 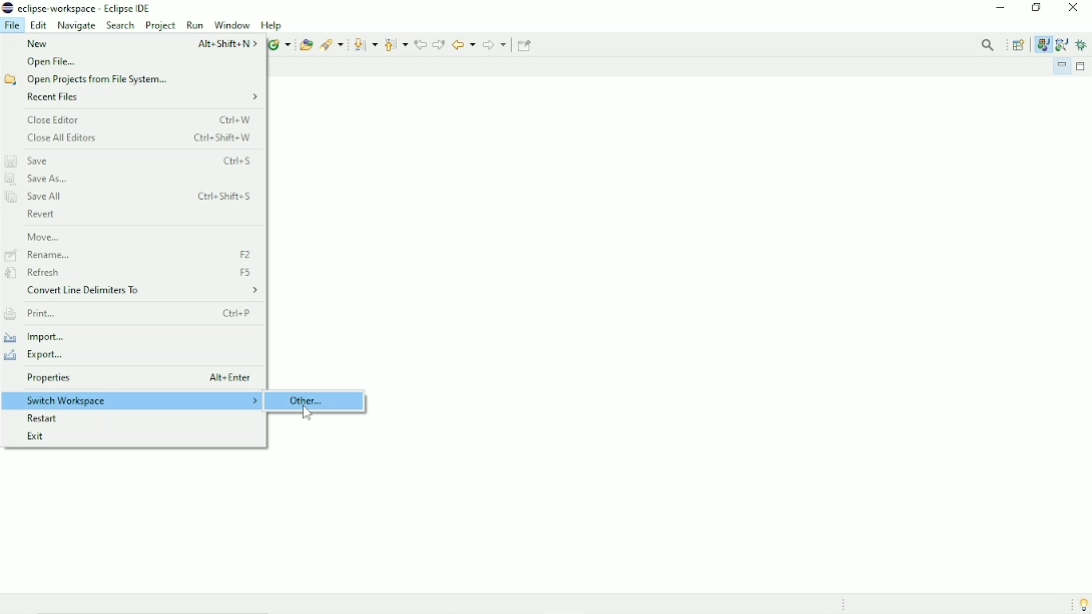 What do you see at coordinates (420, 43) in the screenshot?
I see `Previous edit location` at bounding box center [420, 43].